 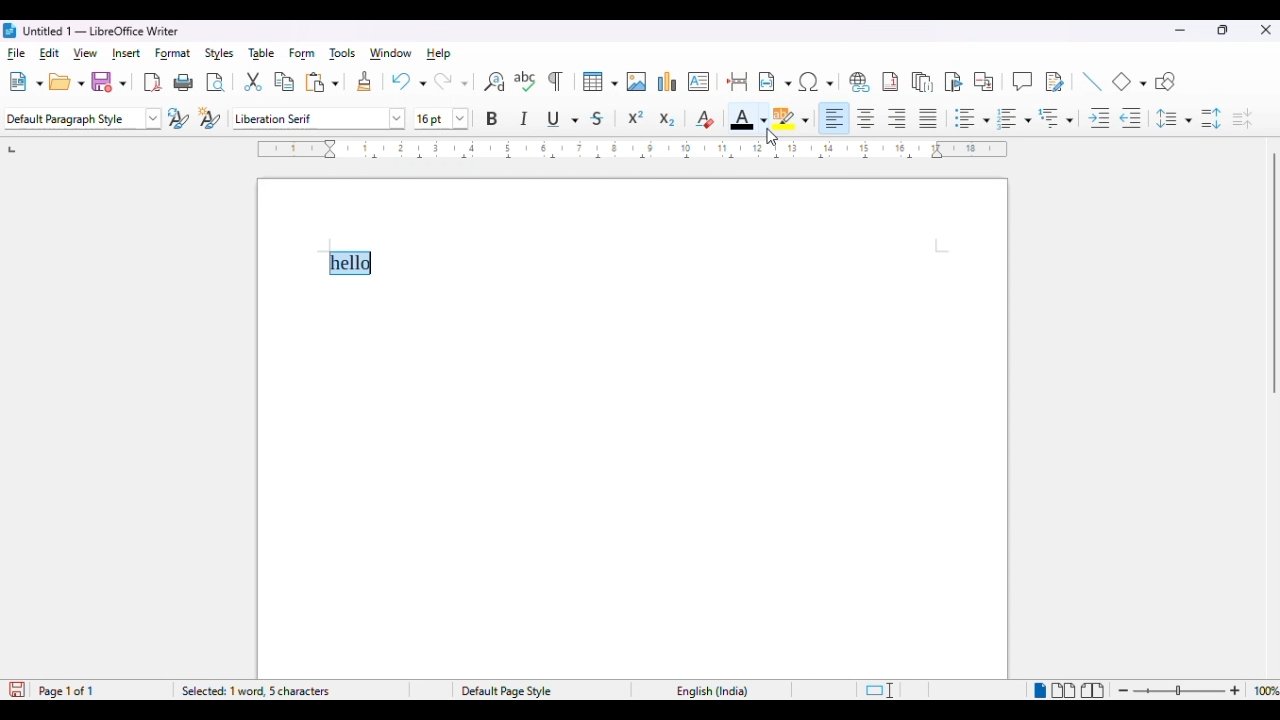 I want to click on single-page view, so click(x=1038, y=691).